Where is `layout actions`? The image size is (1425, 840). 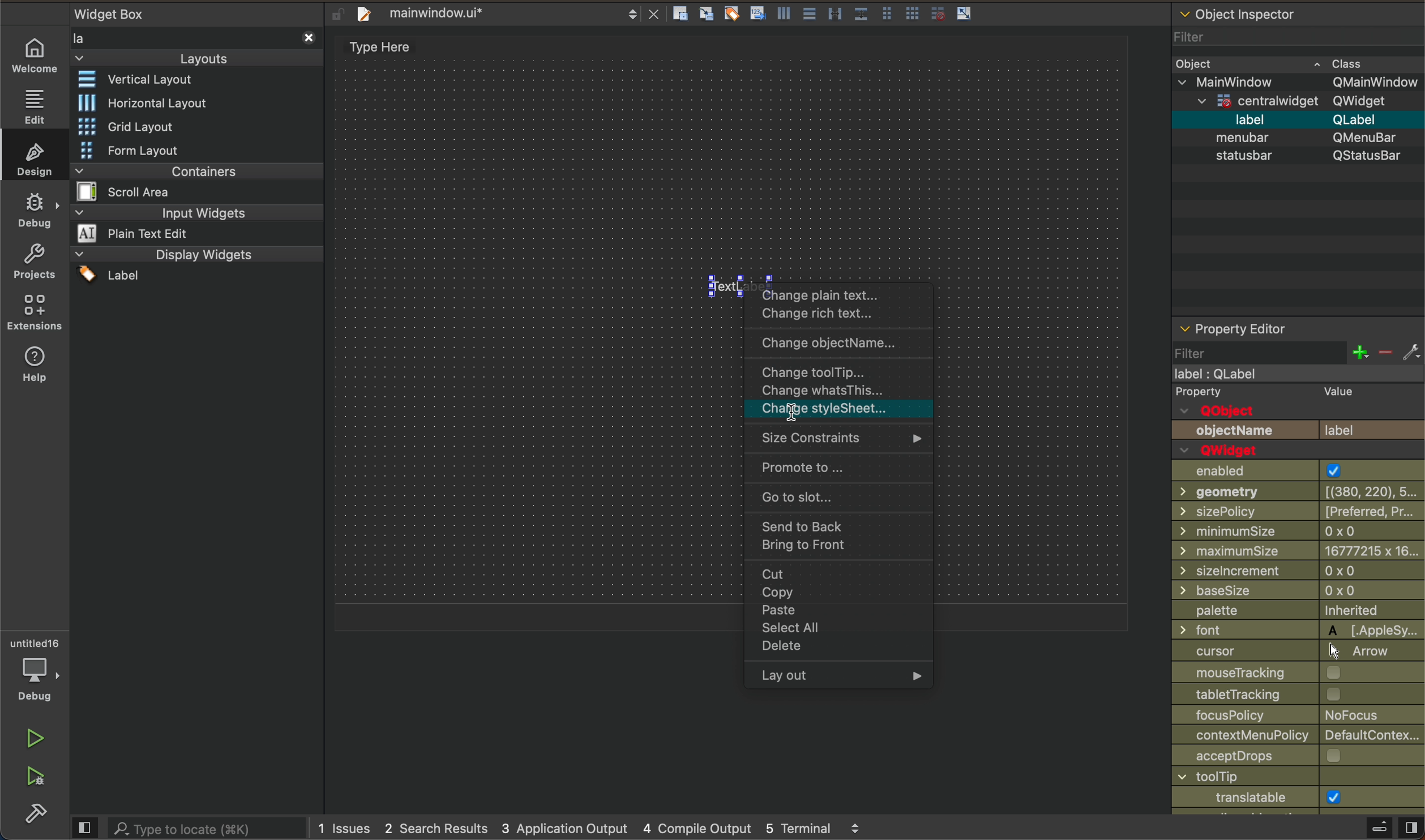
layout actions is located at coordinates (832, 12).